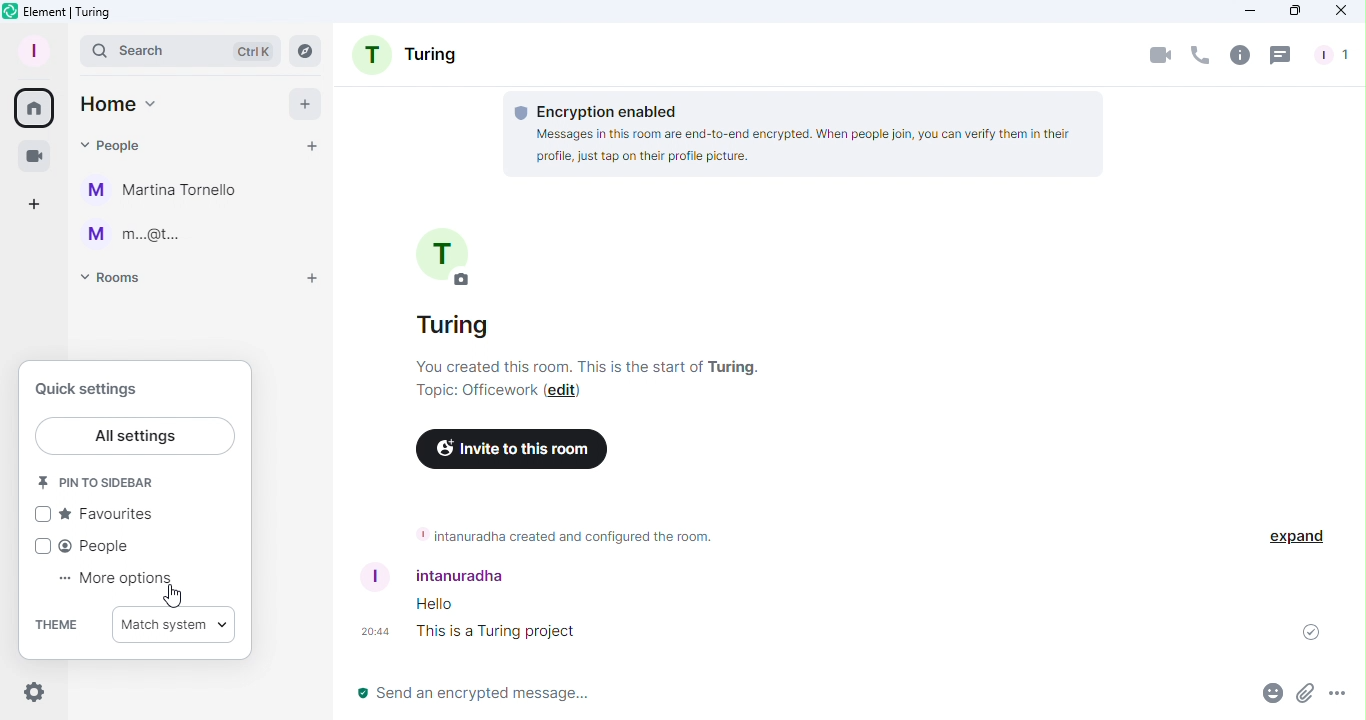 This screenshot has width=1366, height=720. What do you see at coordinates (593, 367) in the screenshot?
I see `you created this room.` at bounding box center [593, 367].